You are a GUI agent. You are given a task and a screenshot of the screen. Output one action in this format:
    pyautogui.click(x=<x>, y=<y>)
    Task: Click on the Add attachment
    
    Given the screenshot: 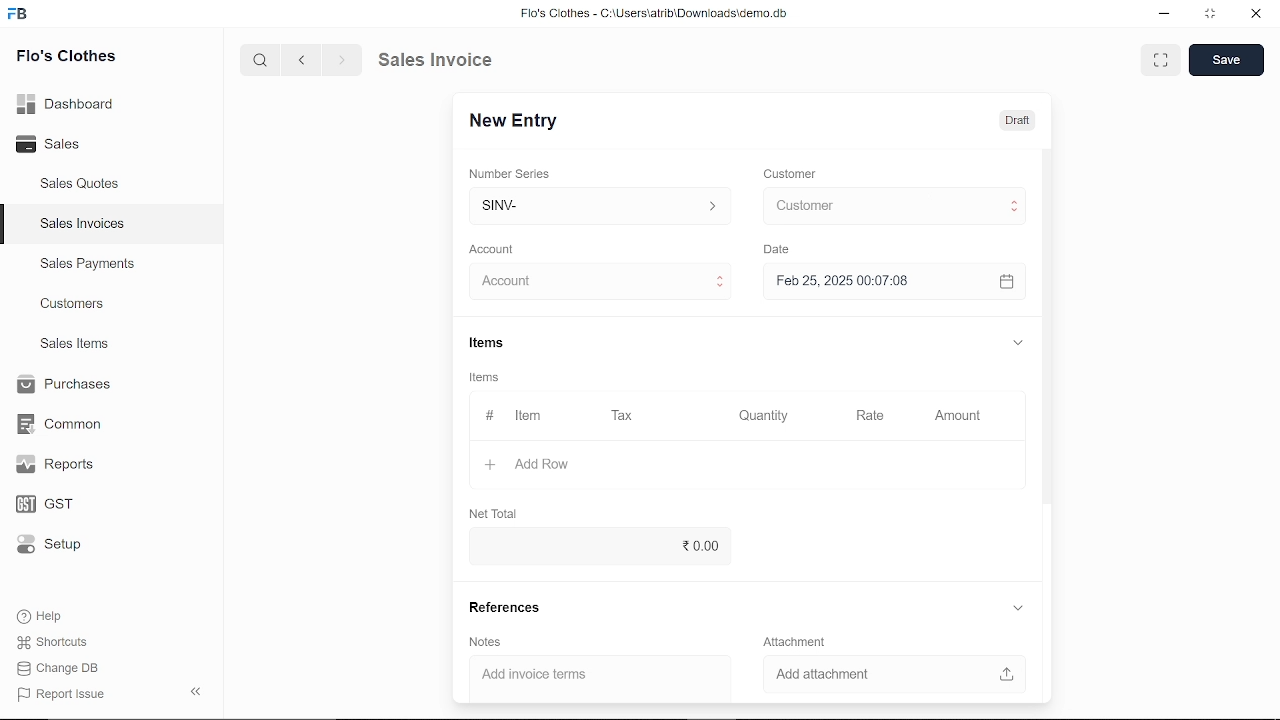 What is the action you would take?
    pyautogui.click(x=890, y=675)
    